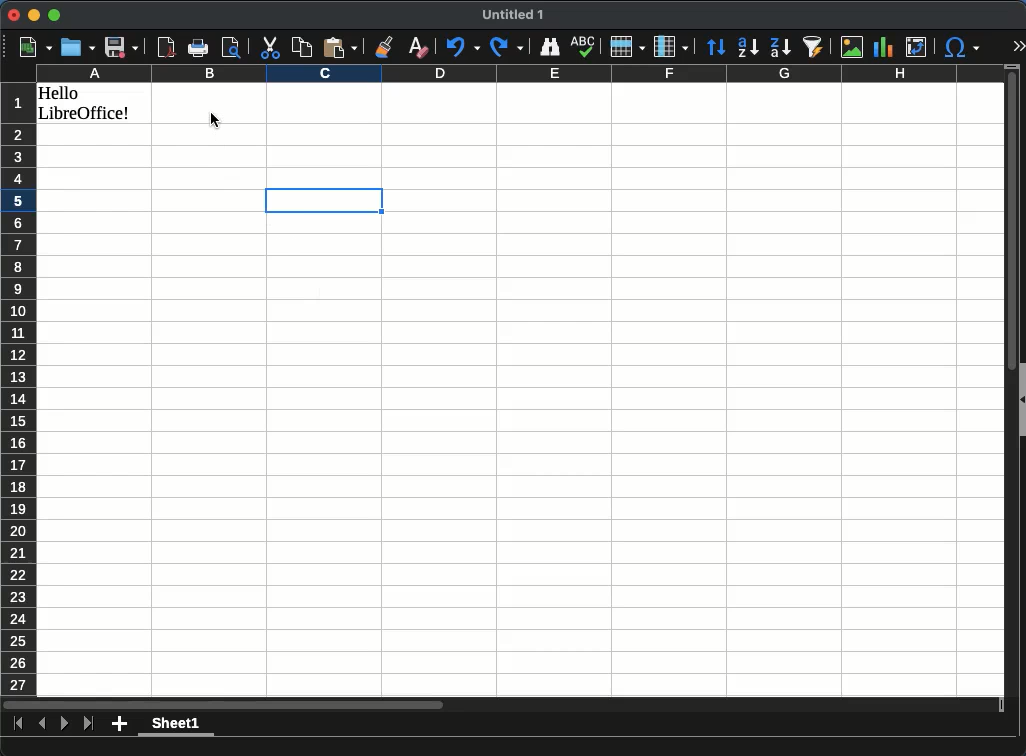 This screenshot has height=756, width=1026. What do you see at coordinates (851, 47) in the screenshot?
I see `image` at bounding box center [851, 47].